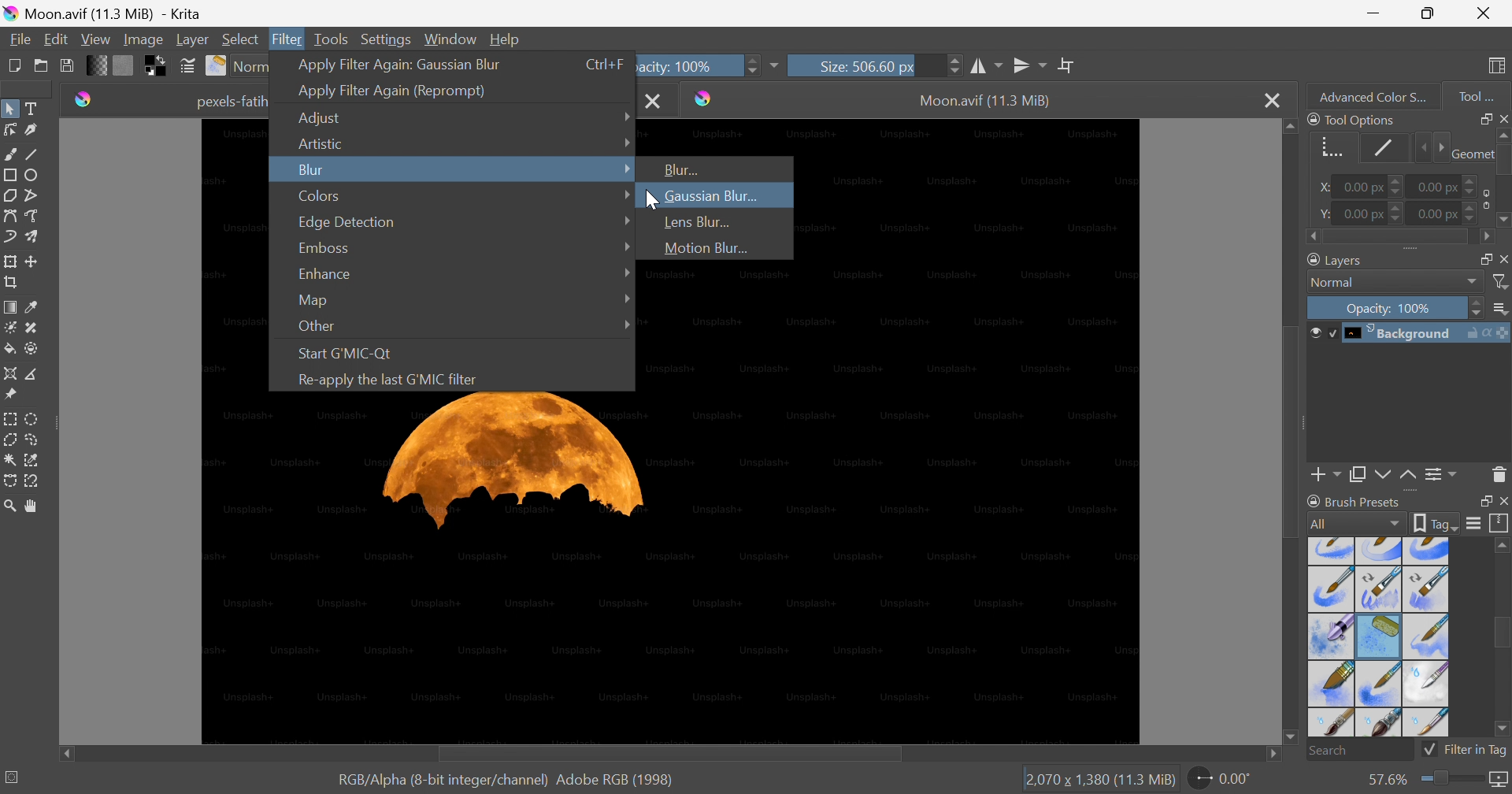 The width and height of the screenshot is (1512, 794). What do you see at coordinates (628, 114) in the screenshot?
I see `Drop Down` at bounding box center [628, 114].